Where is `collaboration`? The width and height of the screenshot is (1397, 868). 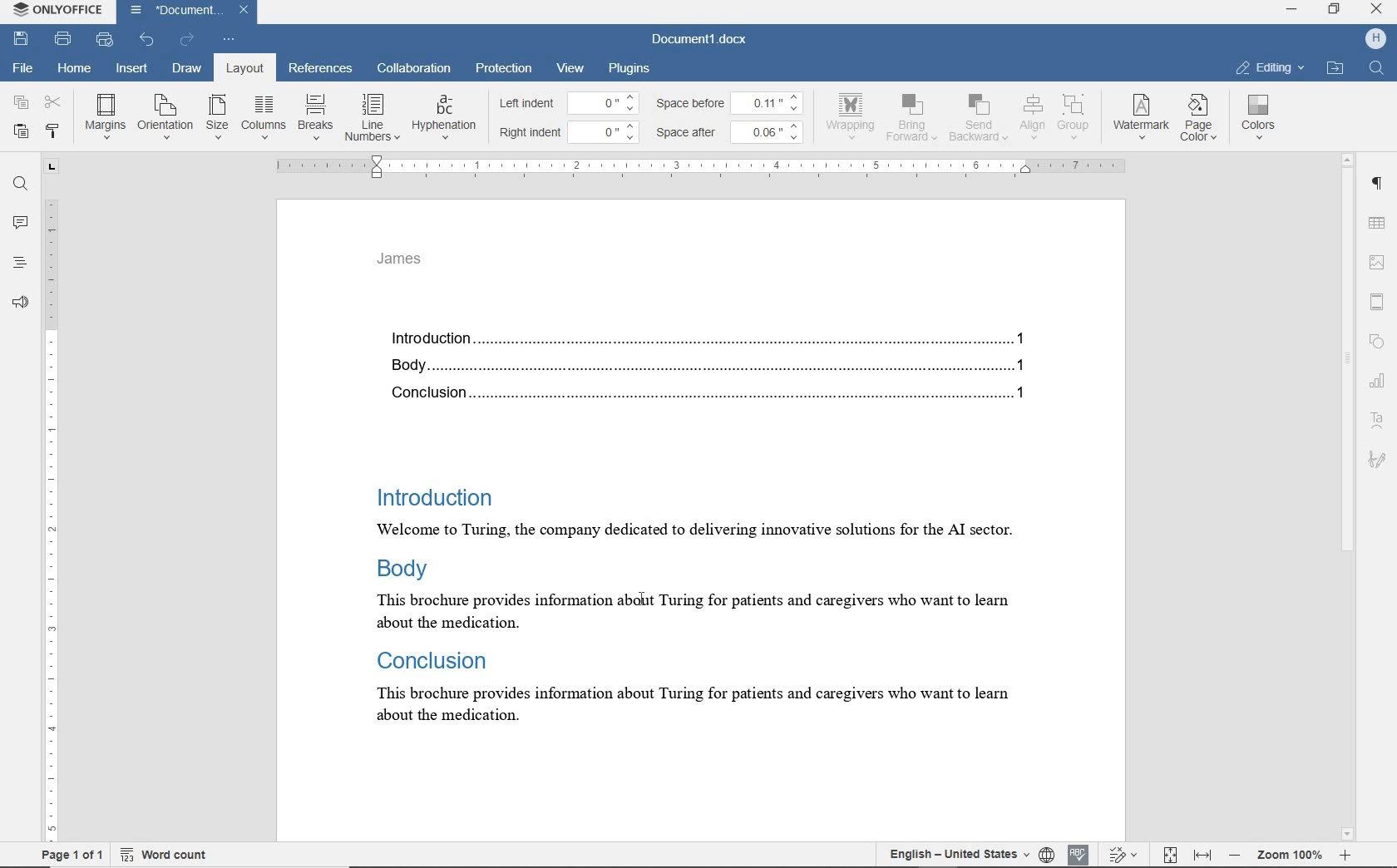
collaboration is located at coordinates (415, 70).